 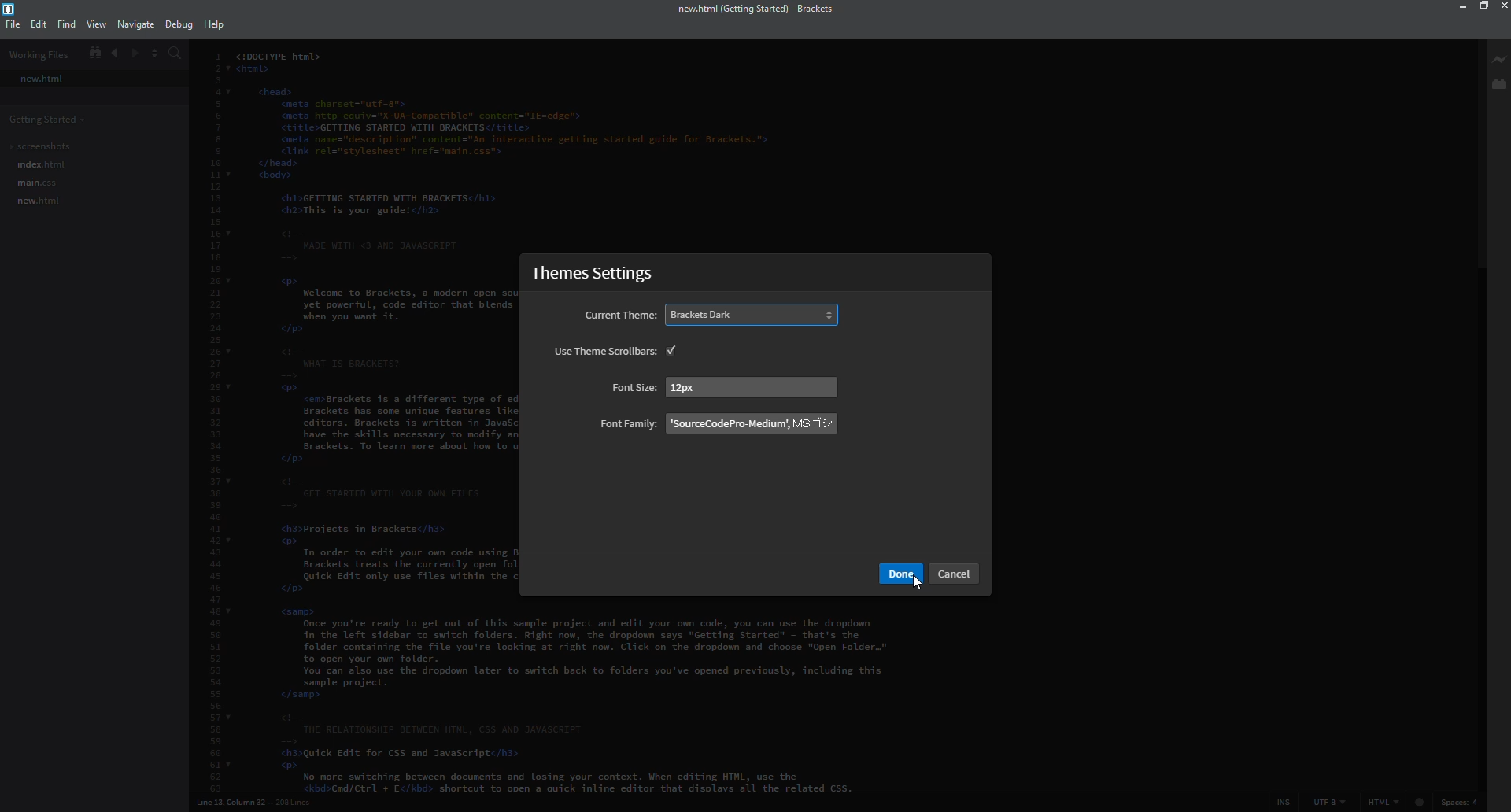 What do you see at coordinates (636, 386) in the screenshot?
I see `font size` at bounding box center [636, 386].